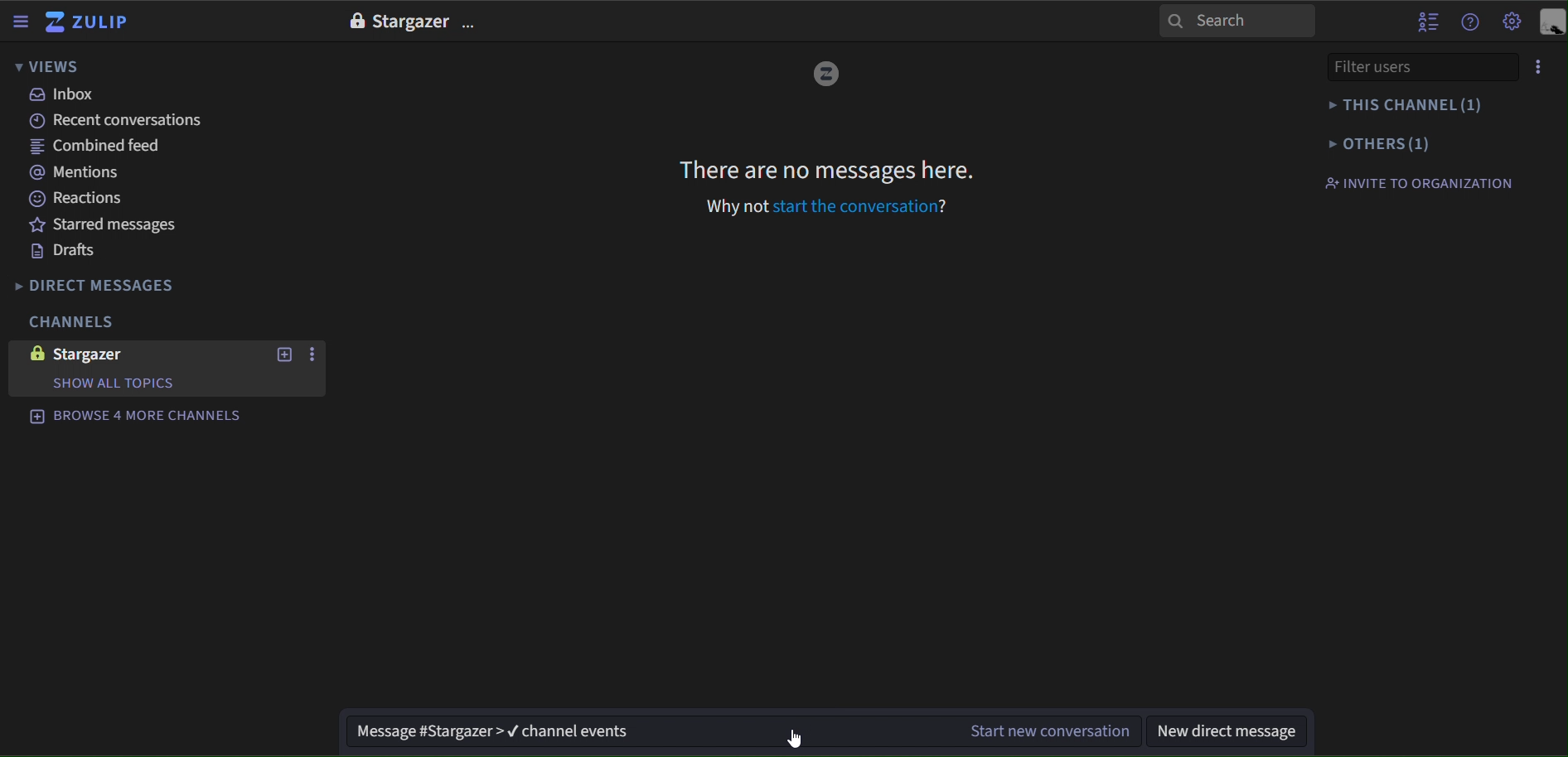 The image size is (1568, 757). Describe the element at coordinates (1418, 182) in the screenshot. I see `Invite to Organization` at that location.